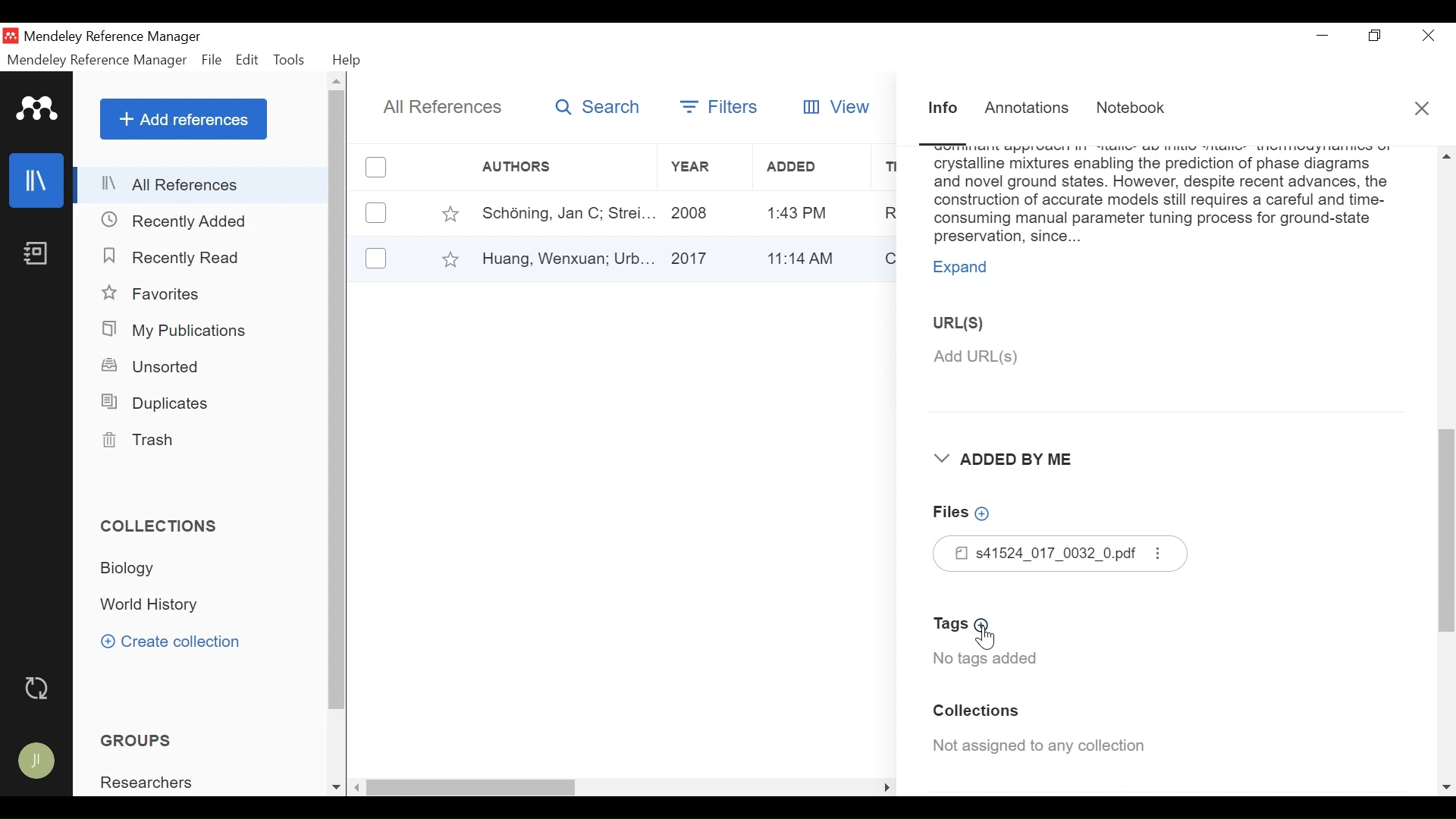  Describe the element at coordinates (133, 568) in the screenshot. I see `Collection` at that location.